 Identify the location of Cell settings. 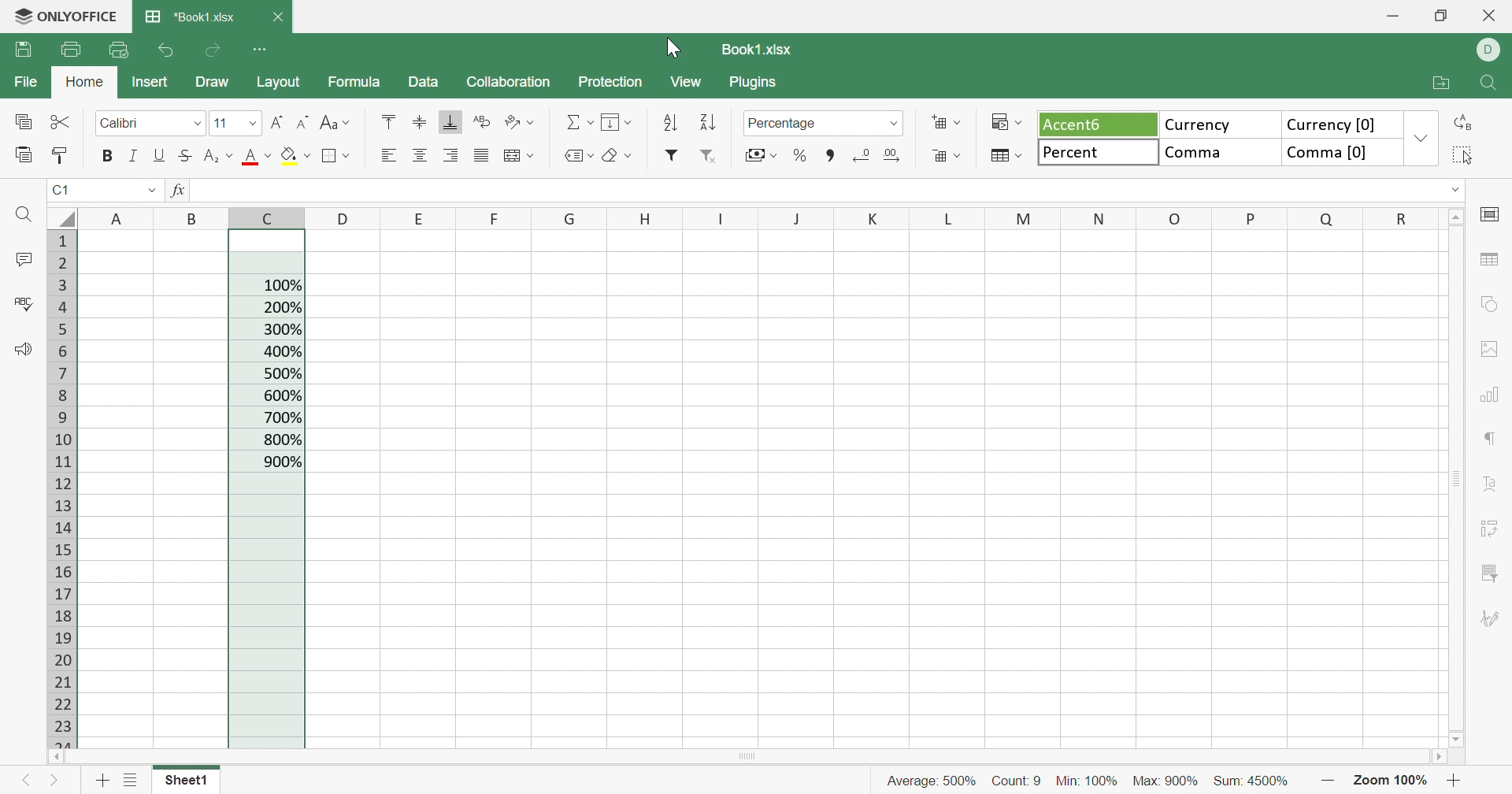
(1493, 215).